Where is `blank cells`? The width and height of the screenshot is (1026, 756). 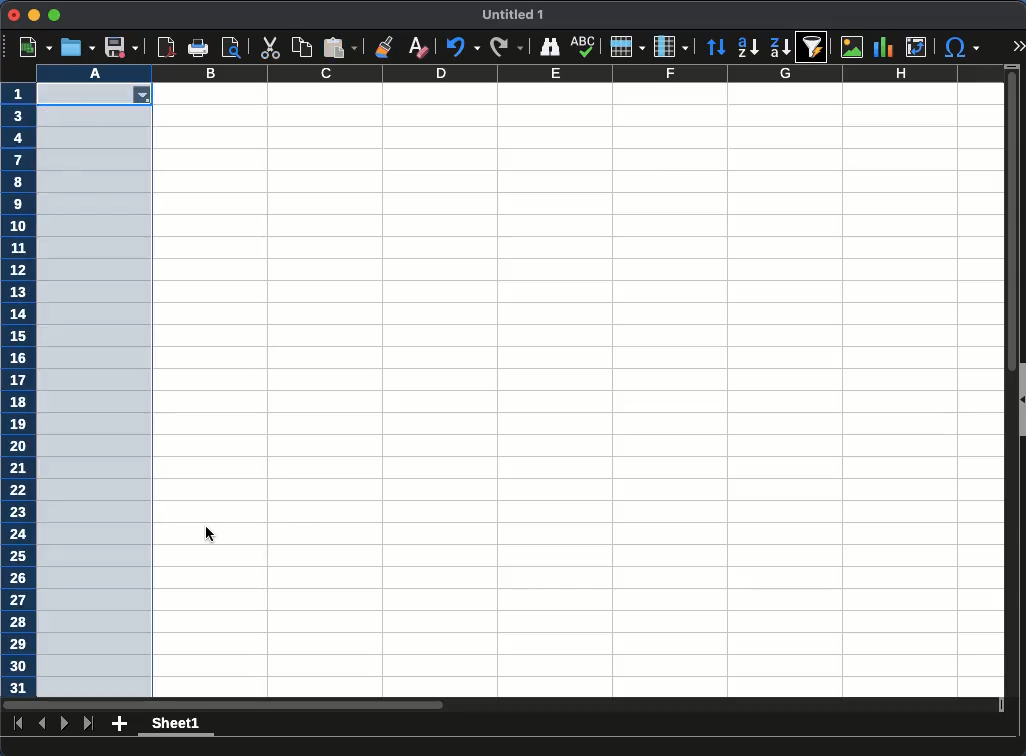
blank cells is located at coordinates (96, 391).